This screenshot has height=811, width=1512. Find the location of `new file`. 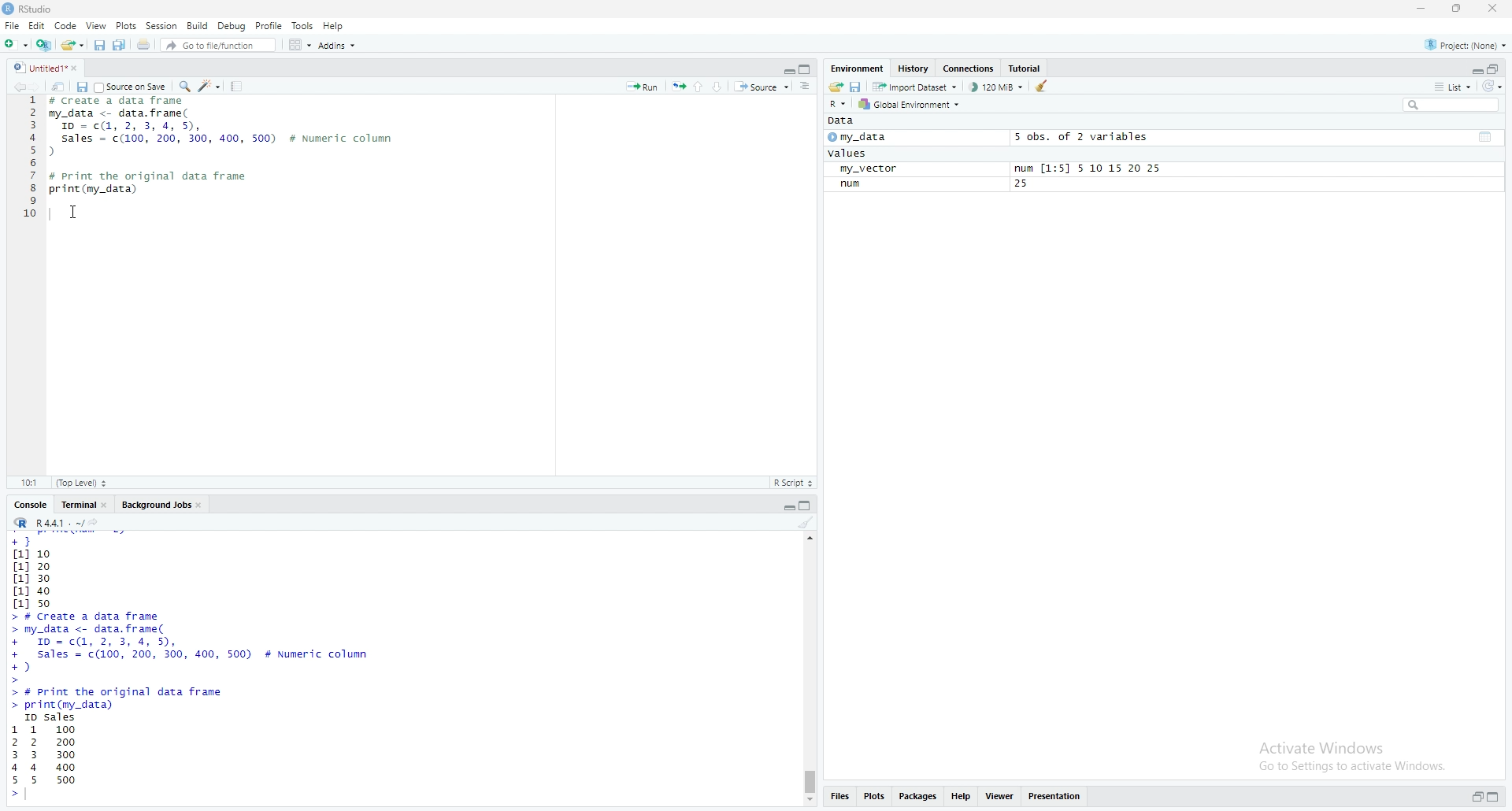

new file is located at coordinates (15, 43).